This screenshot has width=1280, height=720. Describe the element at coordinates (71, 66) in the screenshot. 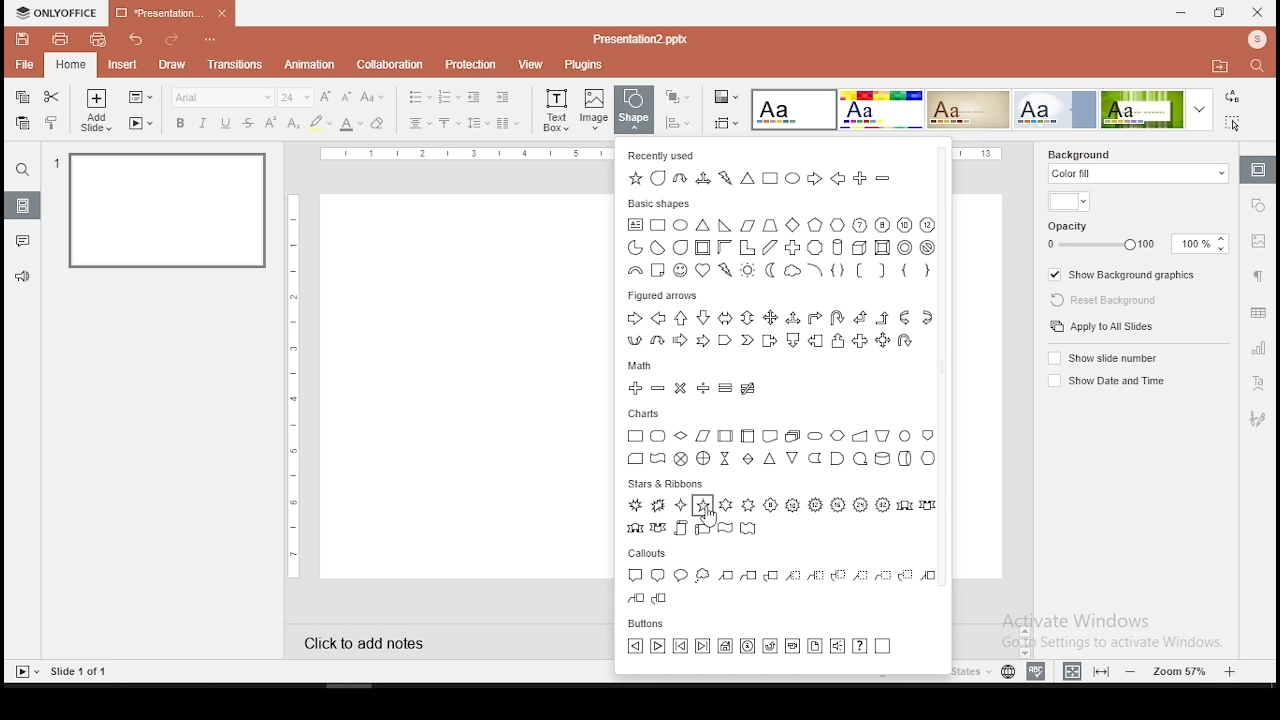

I see `home` at that location.